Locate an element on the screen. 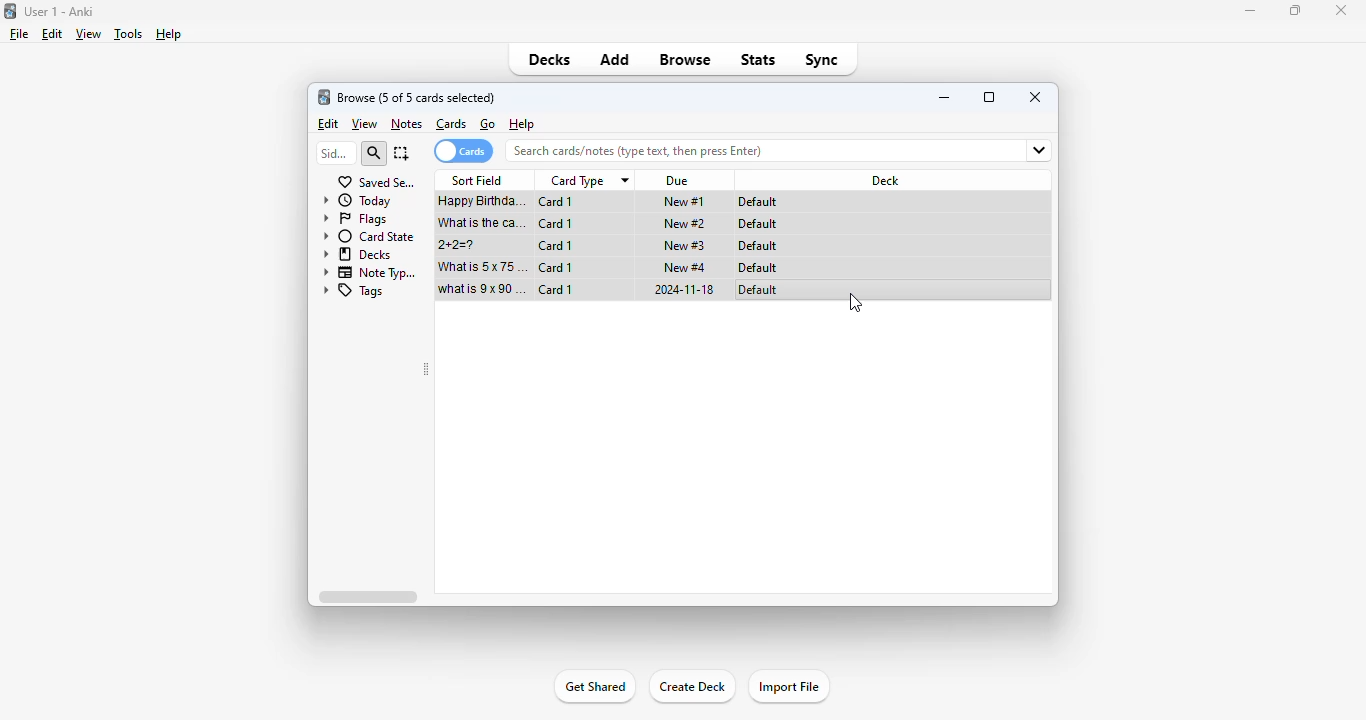  logo is located at coordinates (323, 97).